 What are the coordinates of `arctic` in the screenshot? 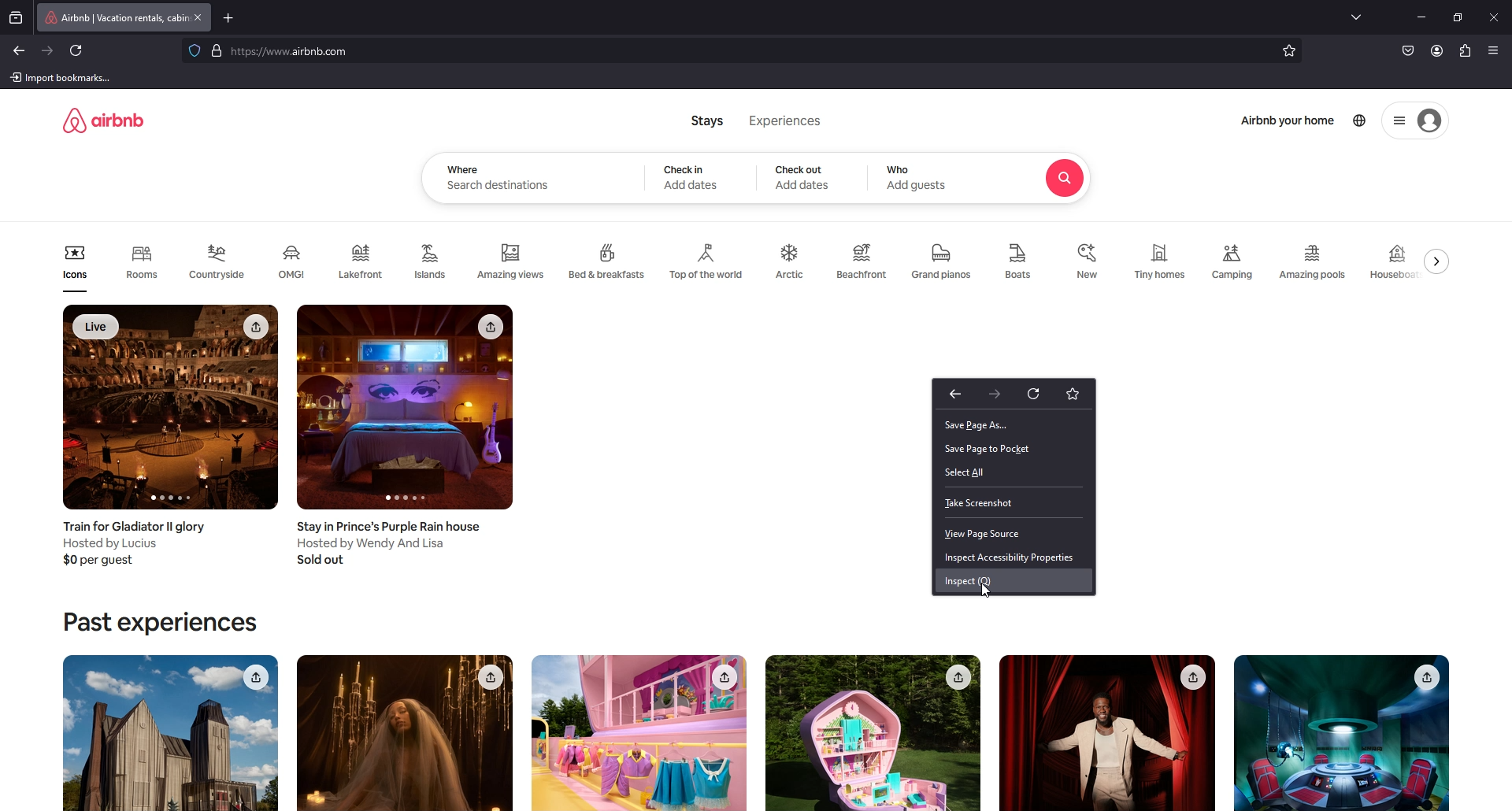 It's located at (791, 262).